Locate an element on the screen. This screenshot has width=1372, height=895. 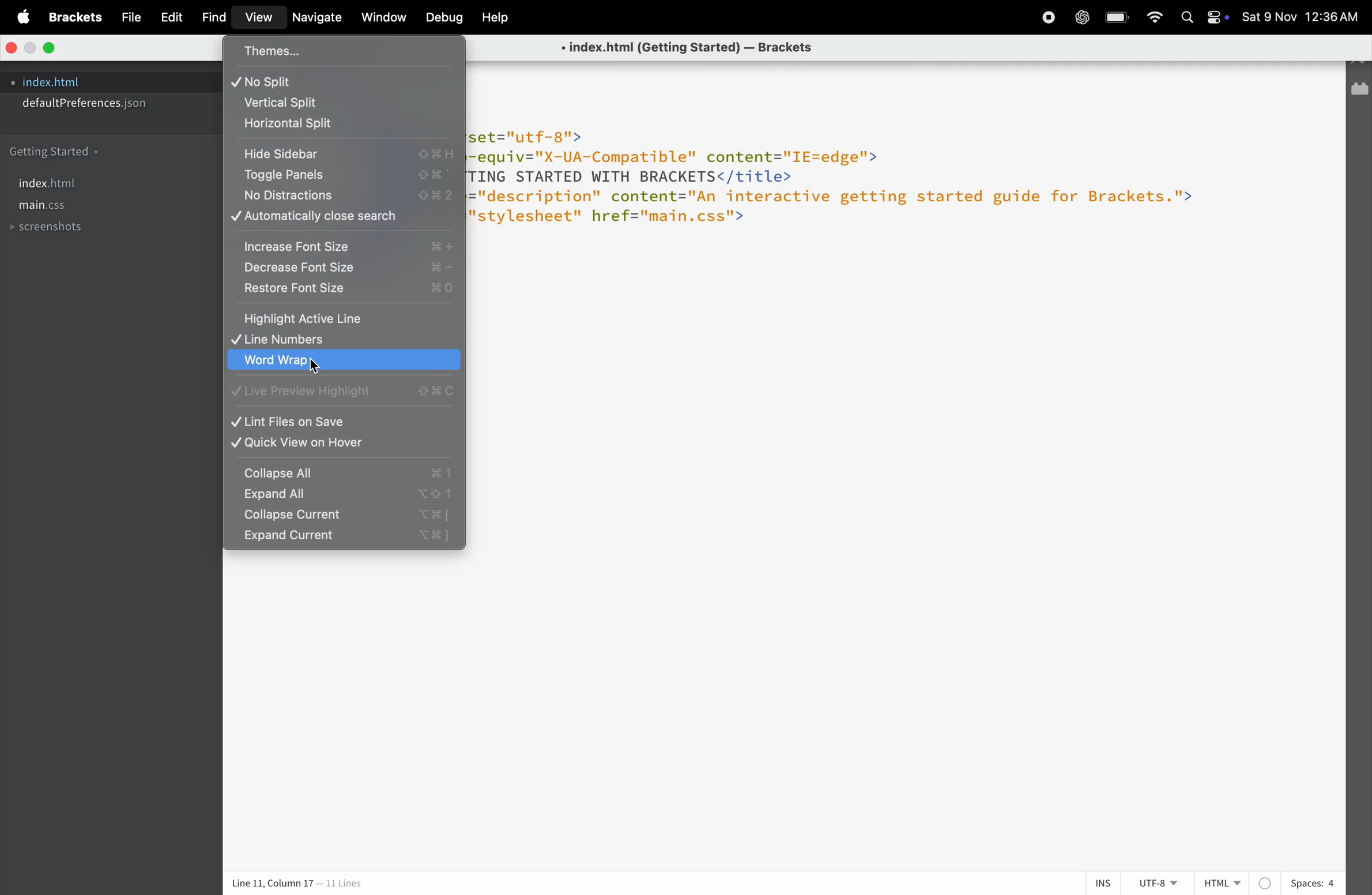
battery is located at coordinates (1118, 16).